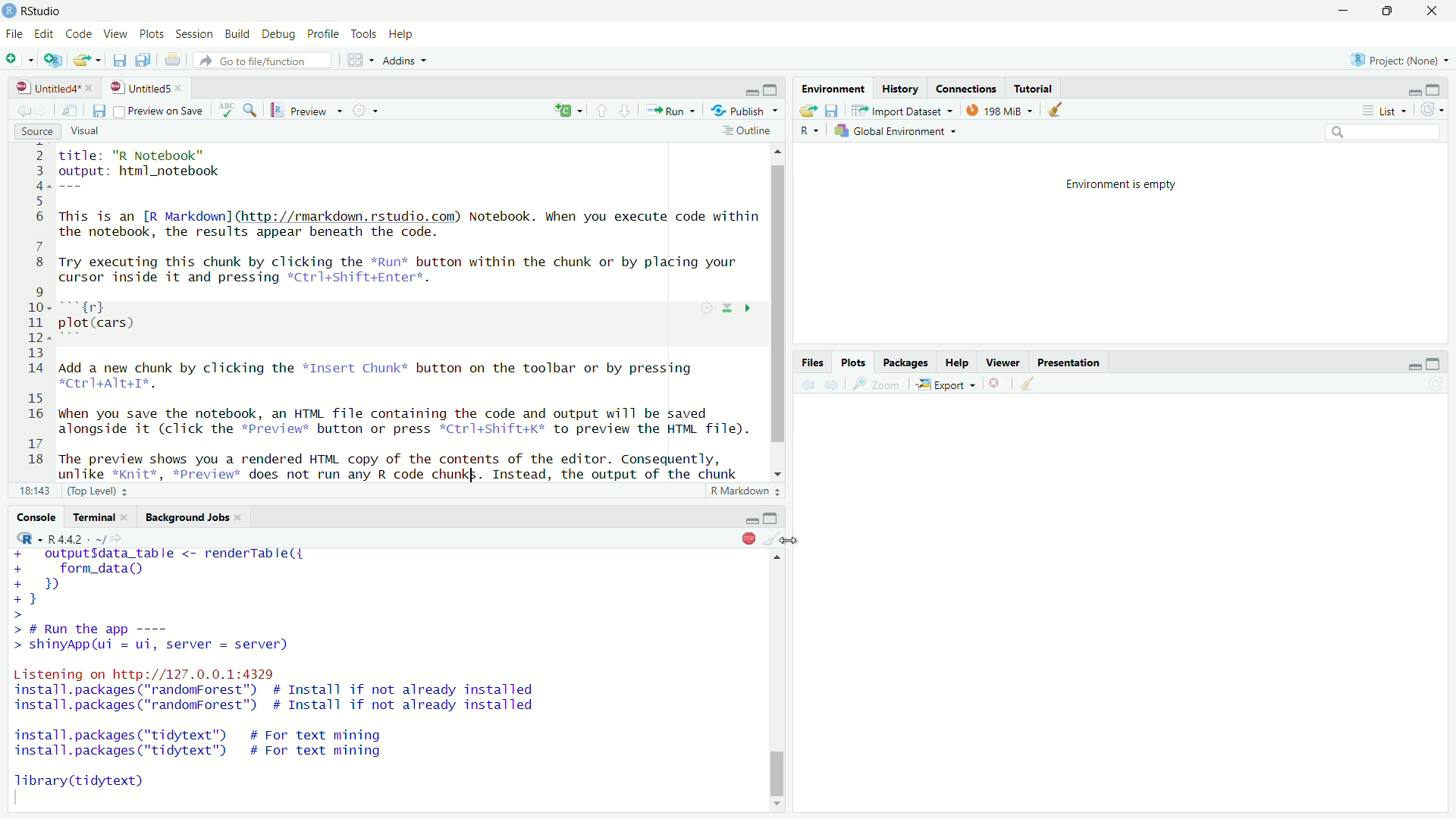 The image size is (1456, 819). What do you see at coordinates (1385, 133) in the screenshot?
I see `search` at bounding box center [1385, 133].